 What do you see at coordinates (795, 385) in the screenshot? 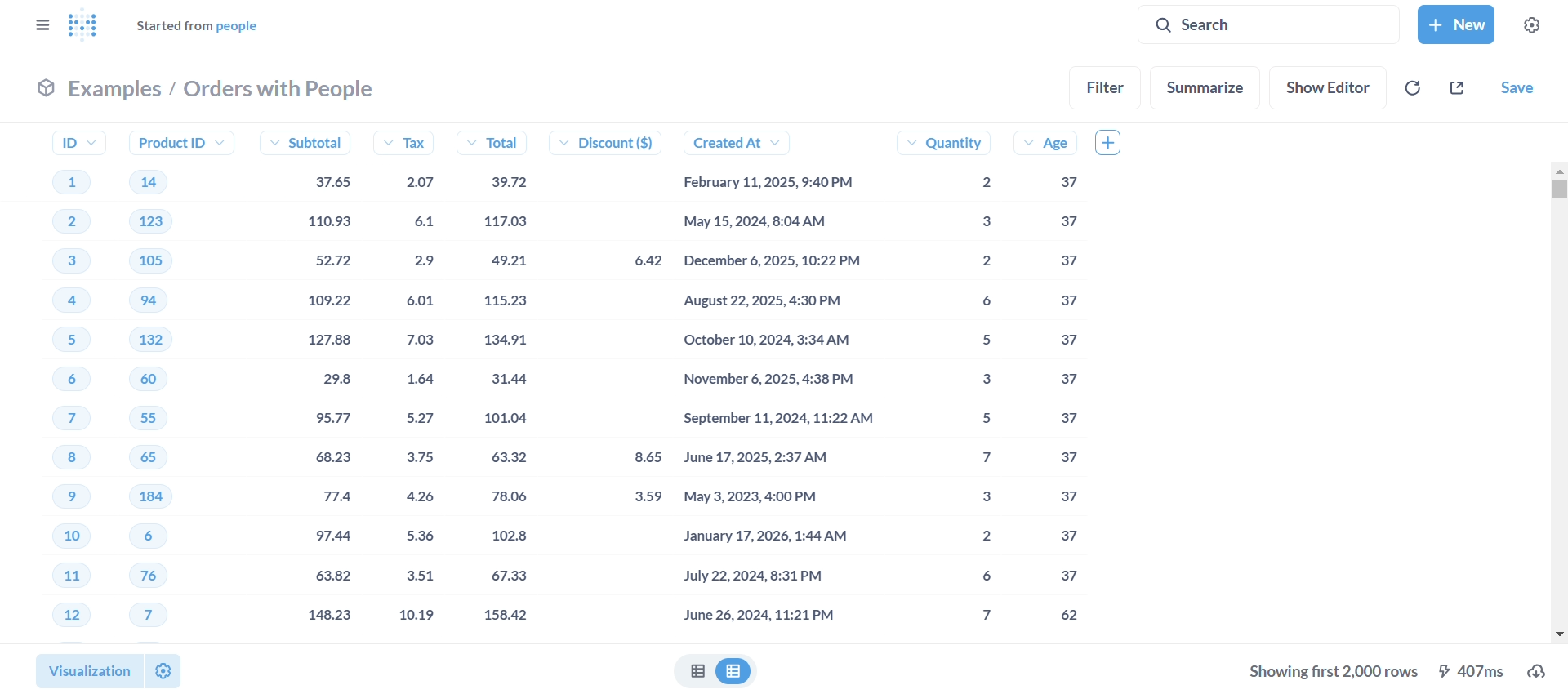
I see `created at` at bounding box center [795, 385].